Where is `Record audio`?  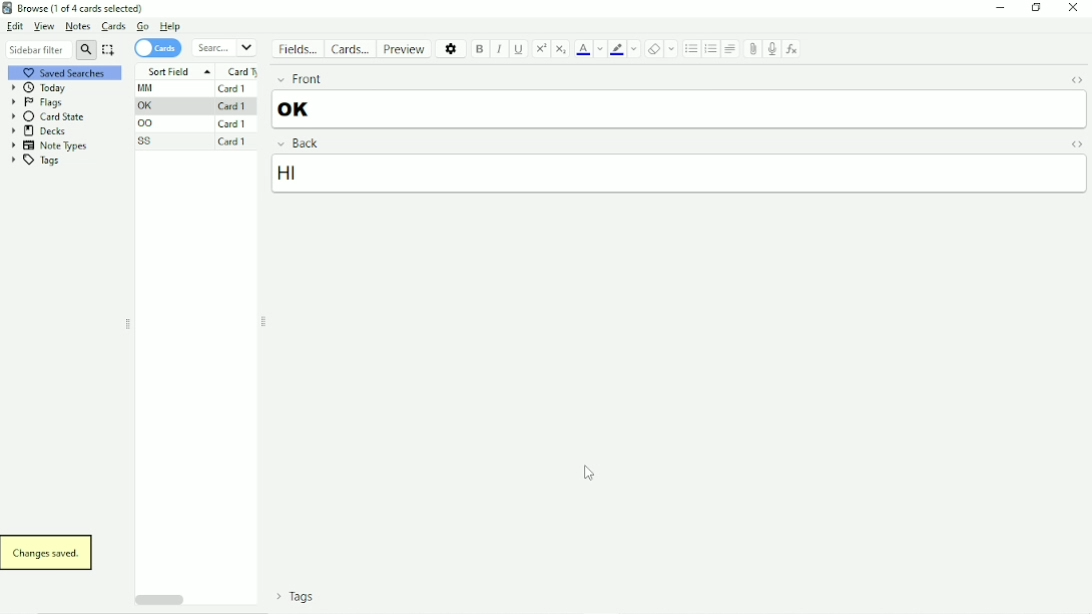
Record audio is located at coordinates (771, 49).